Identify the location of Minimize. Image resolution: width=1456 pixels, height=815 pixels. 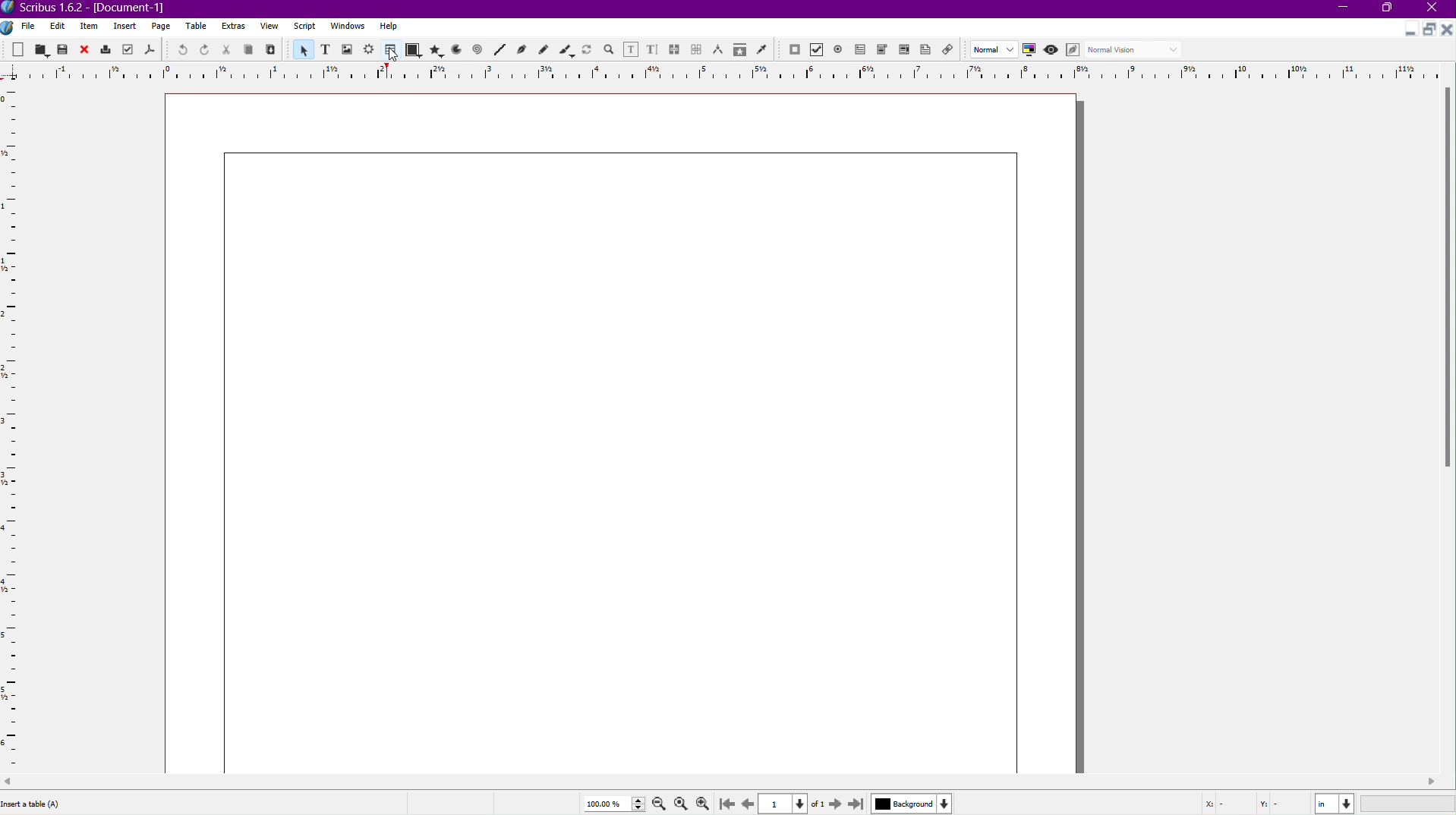
(1344, 9).